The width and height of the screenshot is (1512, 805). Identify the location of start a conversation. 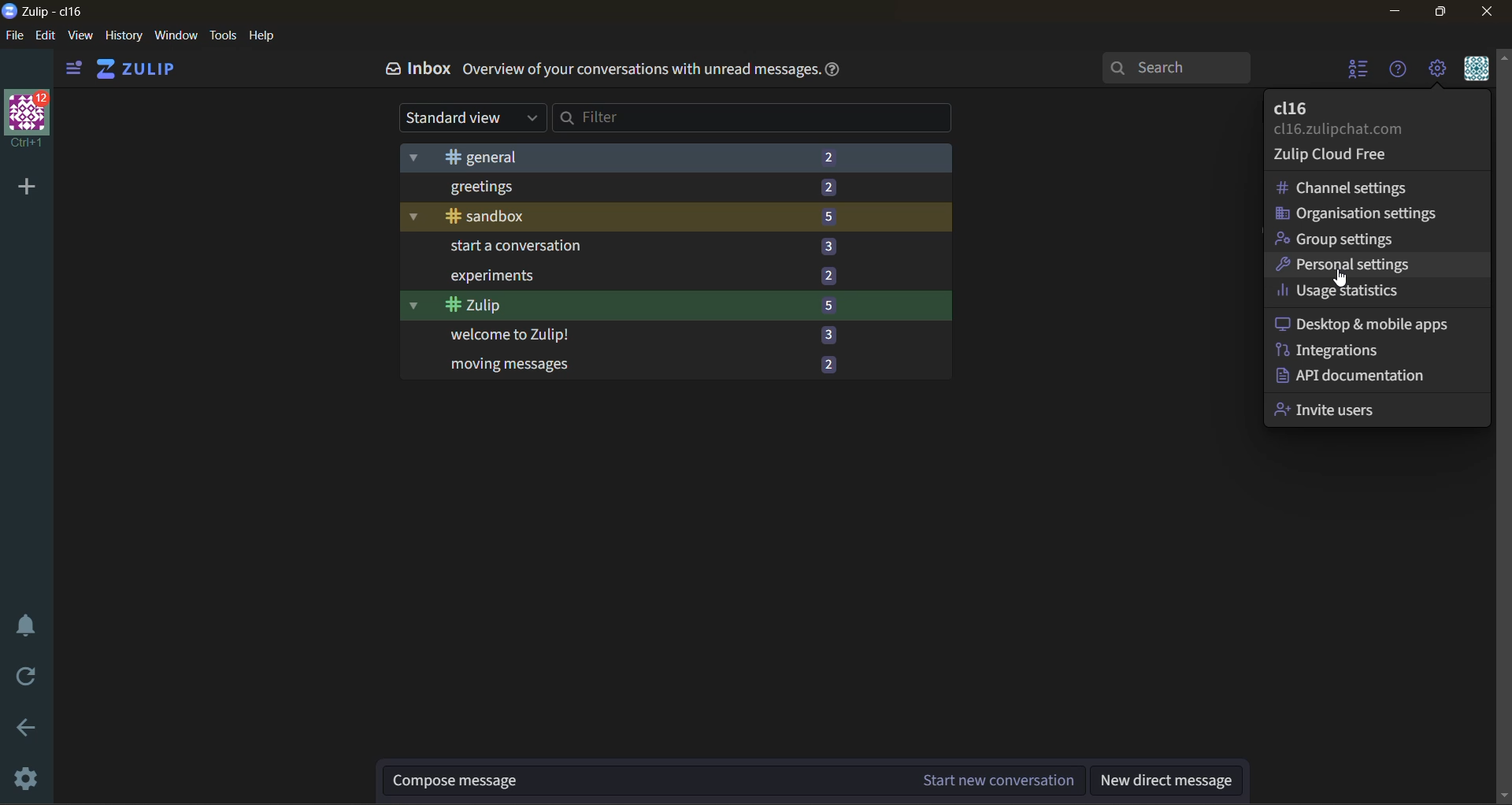
(627, 247).